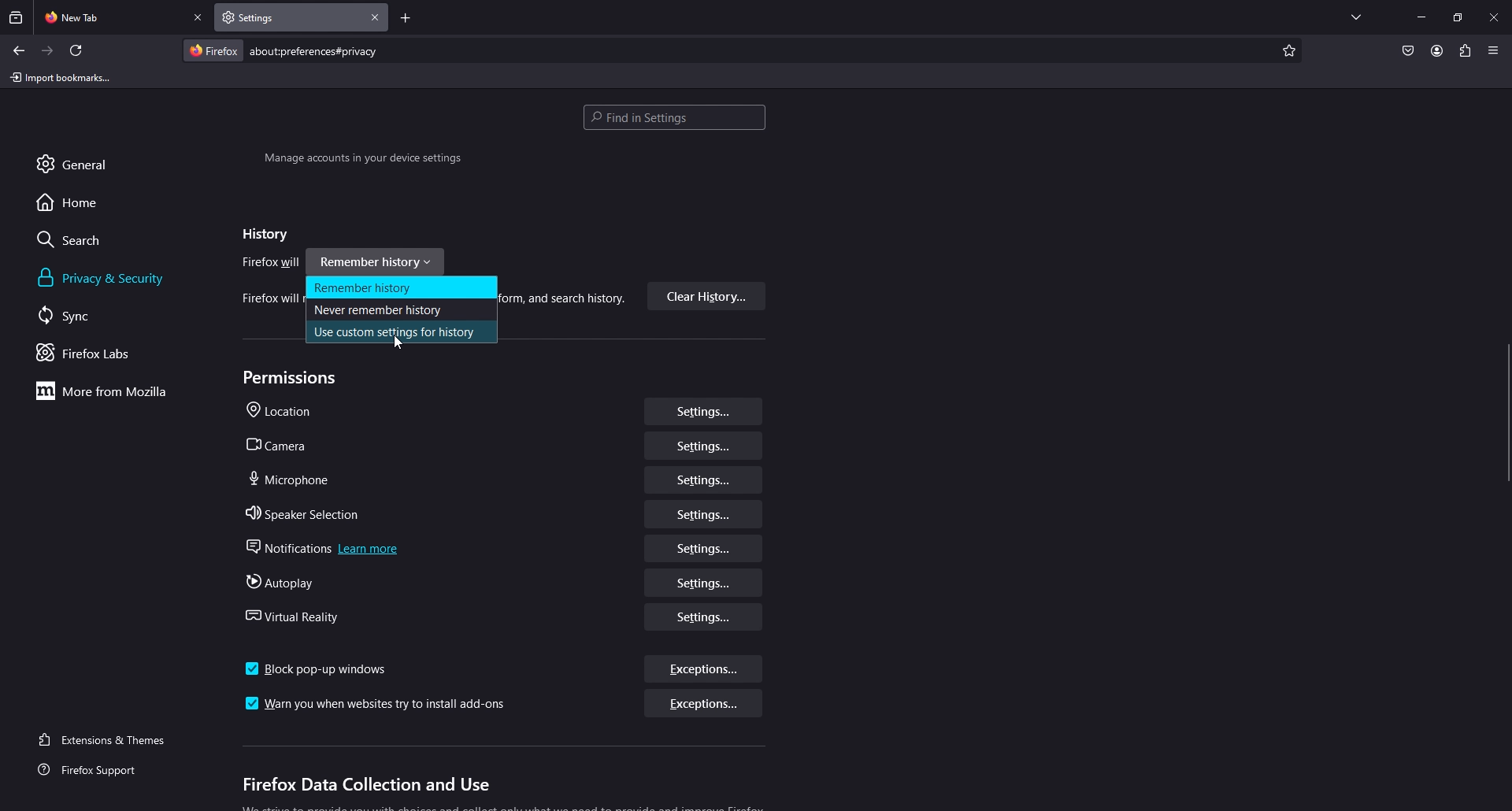 This screenshot has height=811, width=1512. I want to click on settings tab, so click(269, 17).